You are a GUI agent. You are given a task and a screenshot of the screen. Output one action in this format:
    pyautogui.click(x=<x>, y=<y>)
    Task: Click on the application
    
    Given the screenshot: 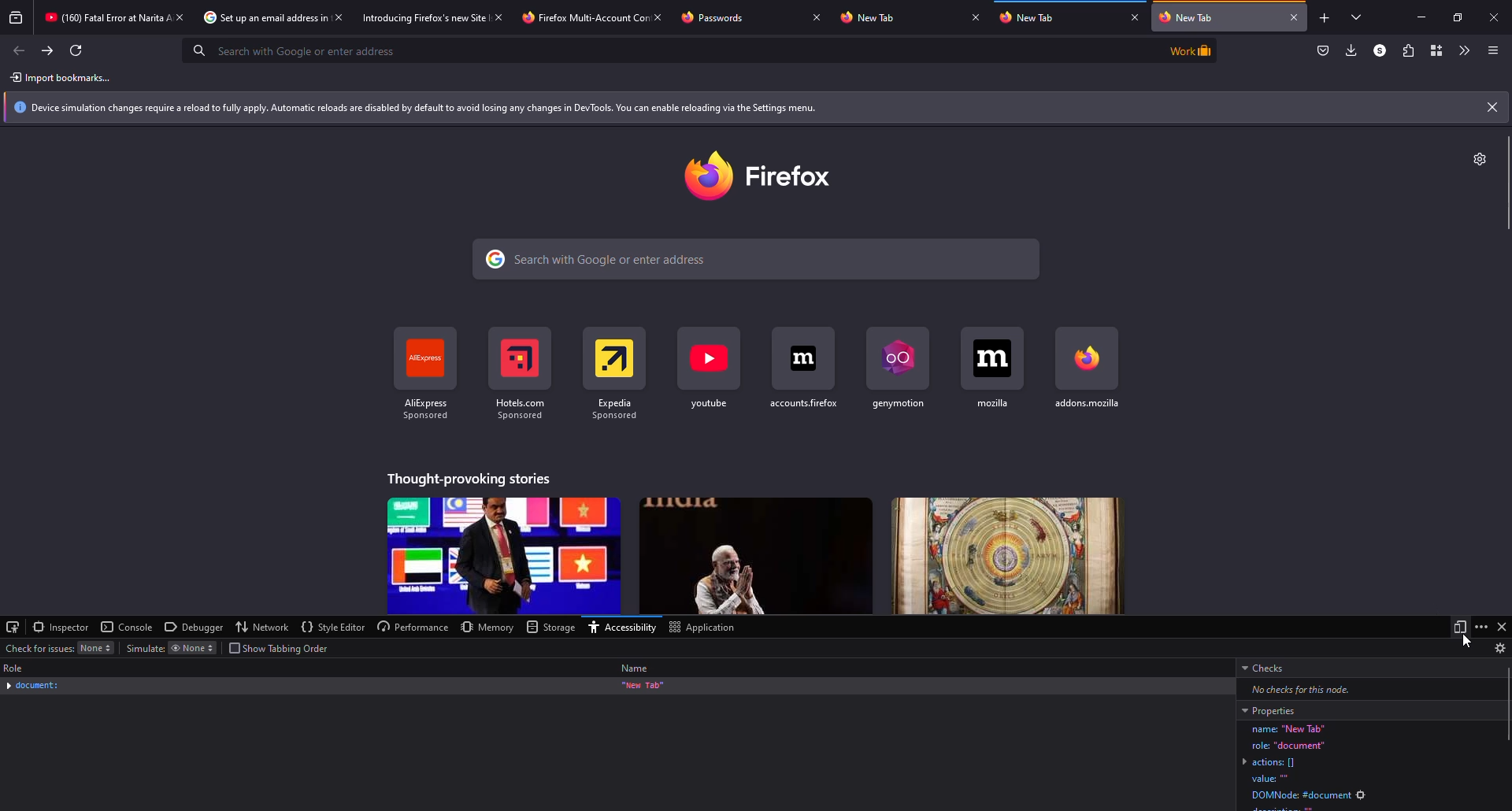 What is the action you would take?
    pyautogui.click(x=701, y=628)
    